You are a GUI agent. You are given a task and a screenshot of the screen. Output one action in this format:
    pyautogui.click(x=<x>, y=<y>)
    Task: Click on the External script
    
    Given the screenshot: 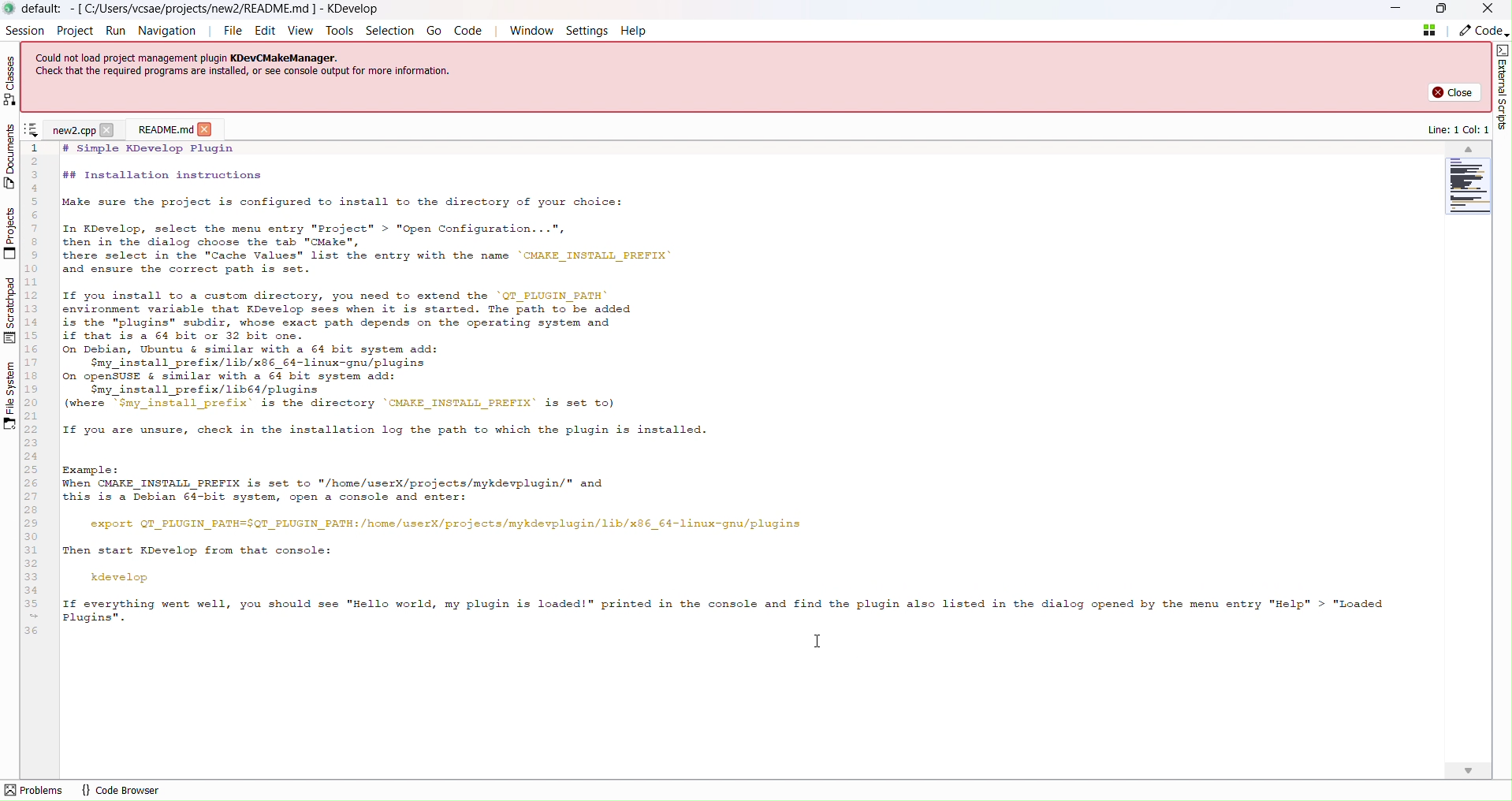 What is the action you would take?
    pyautogui.click(x=1503, y=91)
    